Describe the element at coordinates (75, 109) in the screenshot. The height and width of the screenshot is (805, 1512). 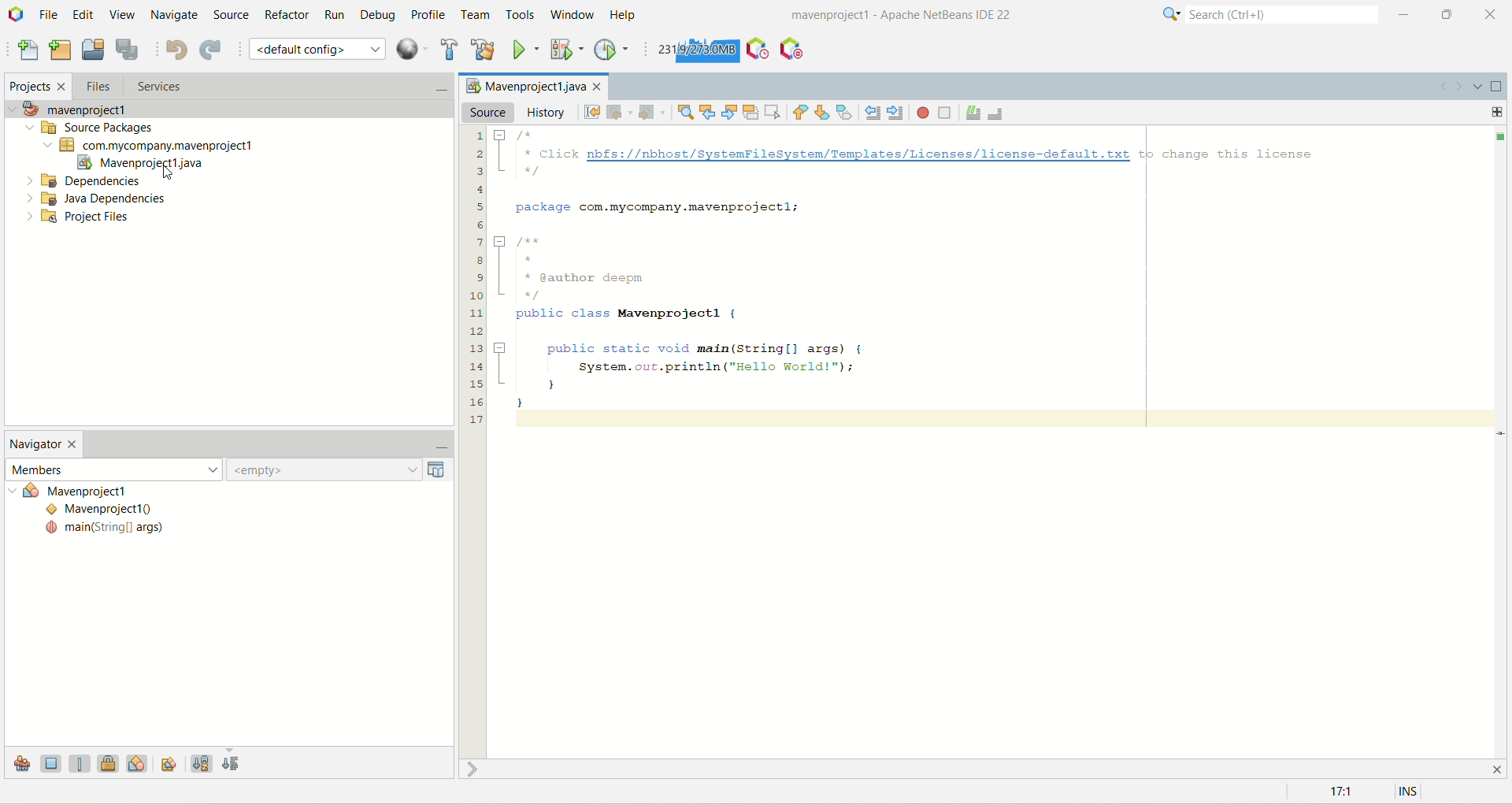
I see `mavenproject1` at that location.